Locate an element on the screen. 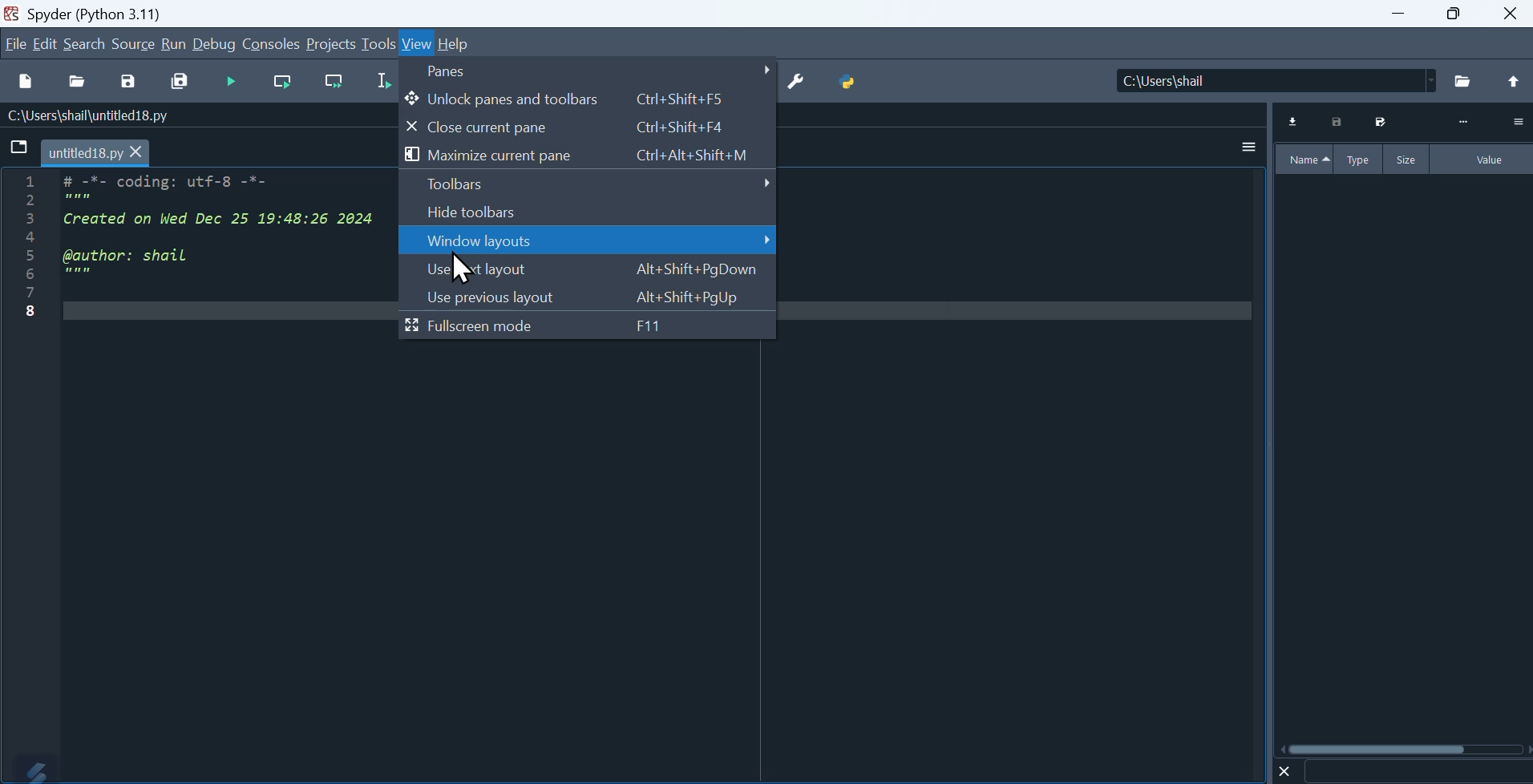 The height and width of the screenshot is (784, 1533). Python path manager is located at coordinates (849, 83).